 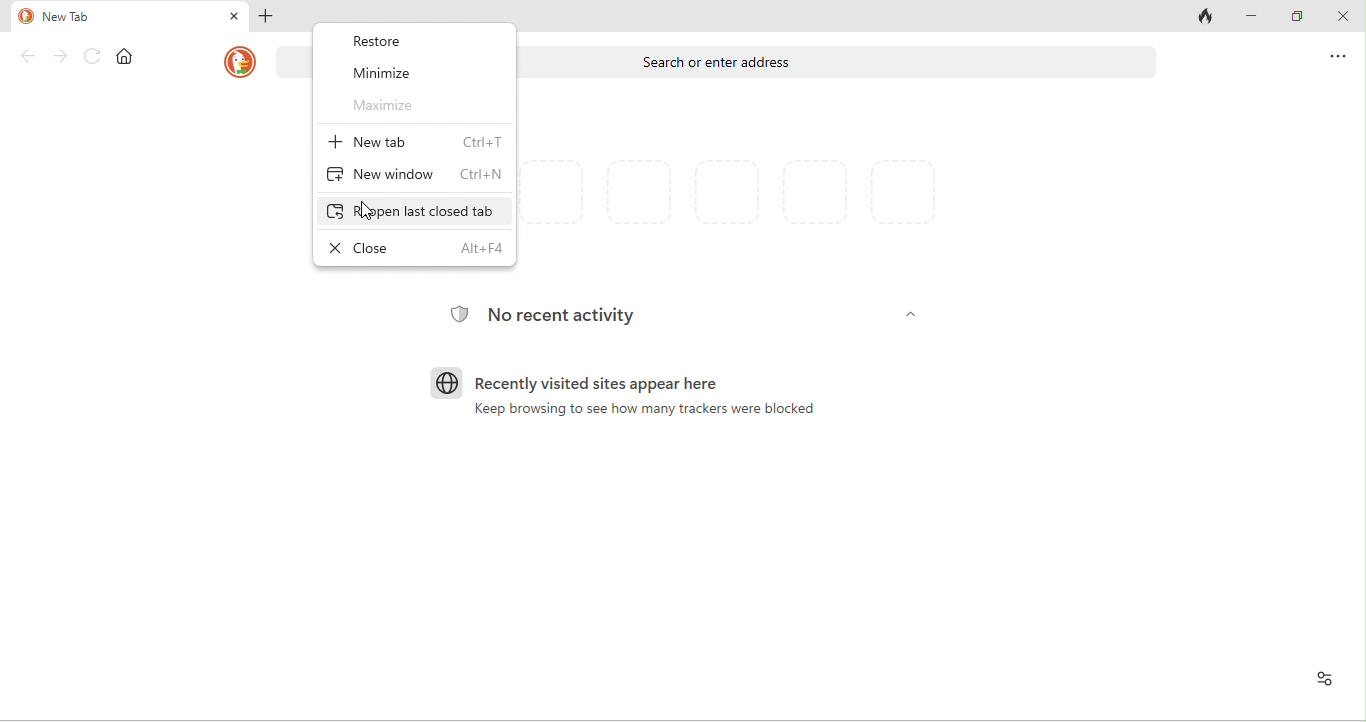 I want to click on back, so click(x=28, y=57).